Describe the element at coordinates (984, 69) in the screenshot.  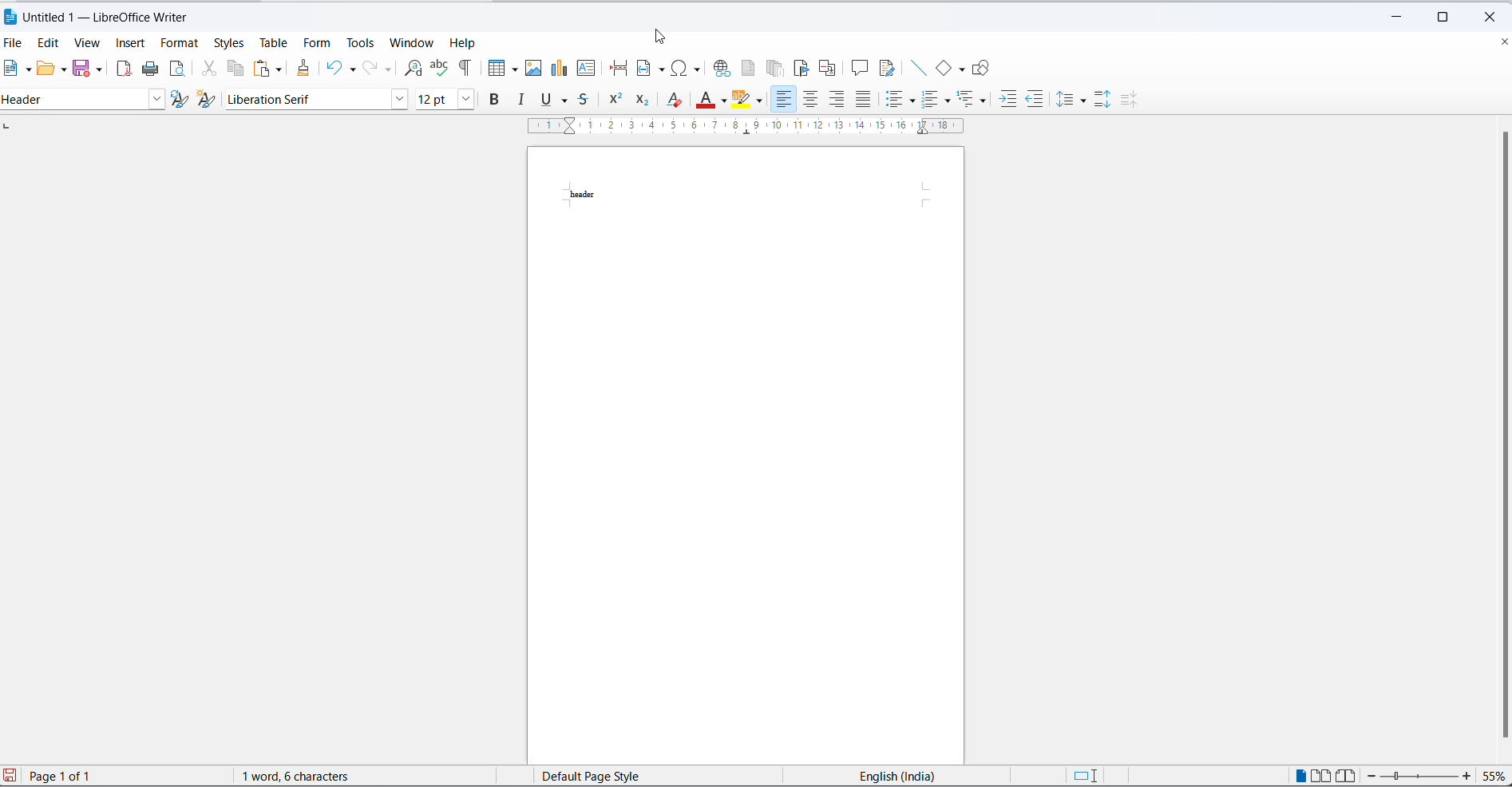
I see `Show draw functions` at that location.